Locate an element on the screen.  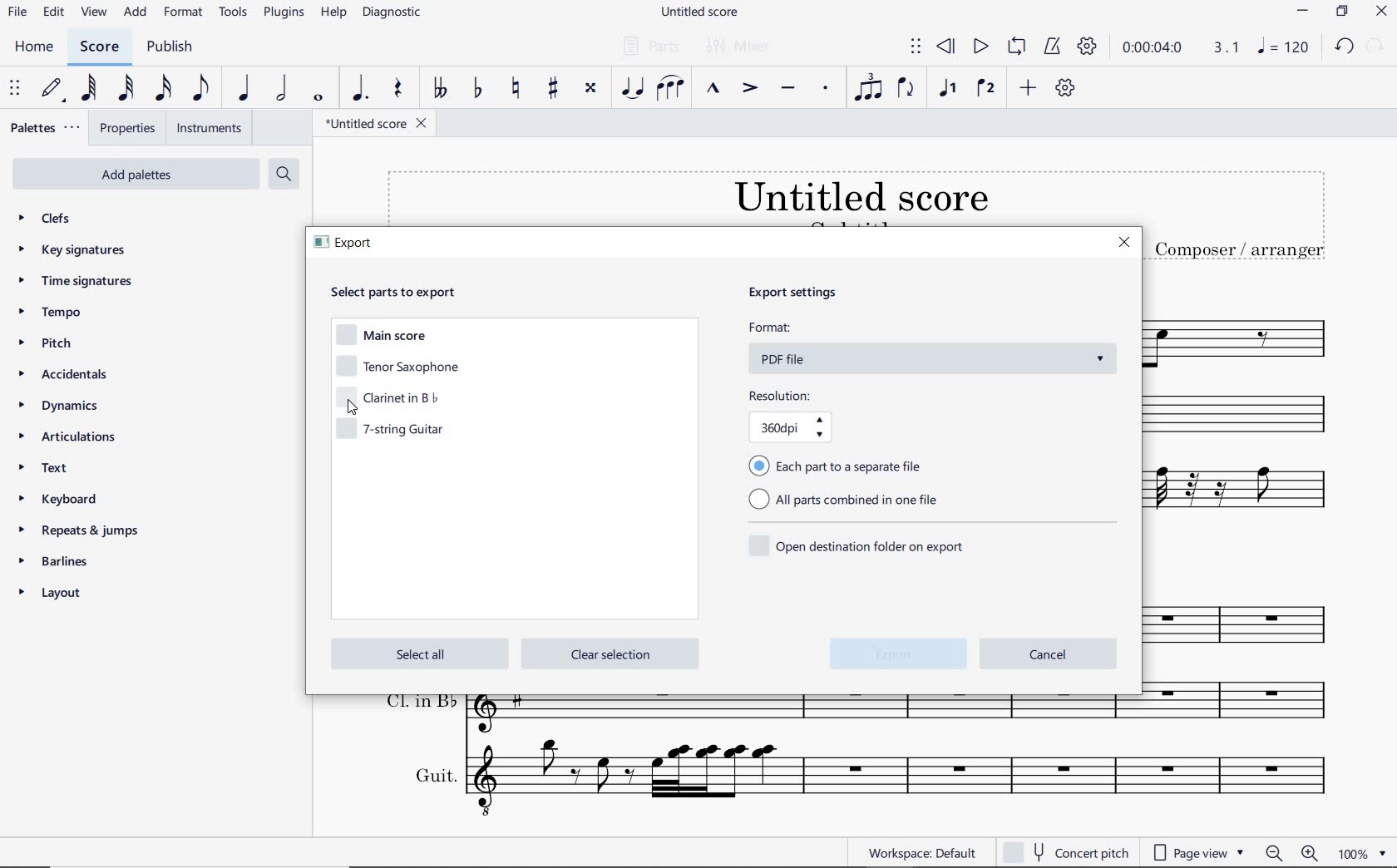
main score is located at coordinates (384, 338).